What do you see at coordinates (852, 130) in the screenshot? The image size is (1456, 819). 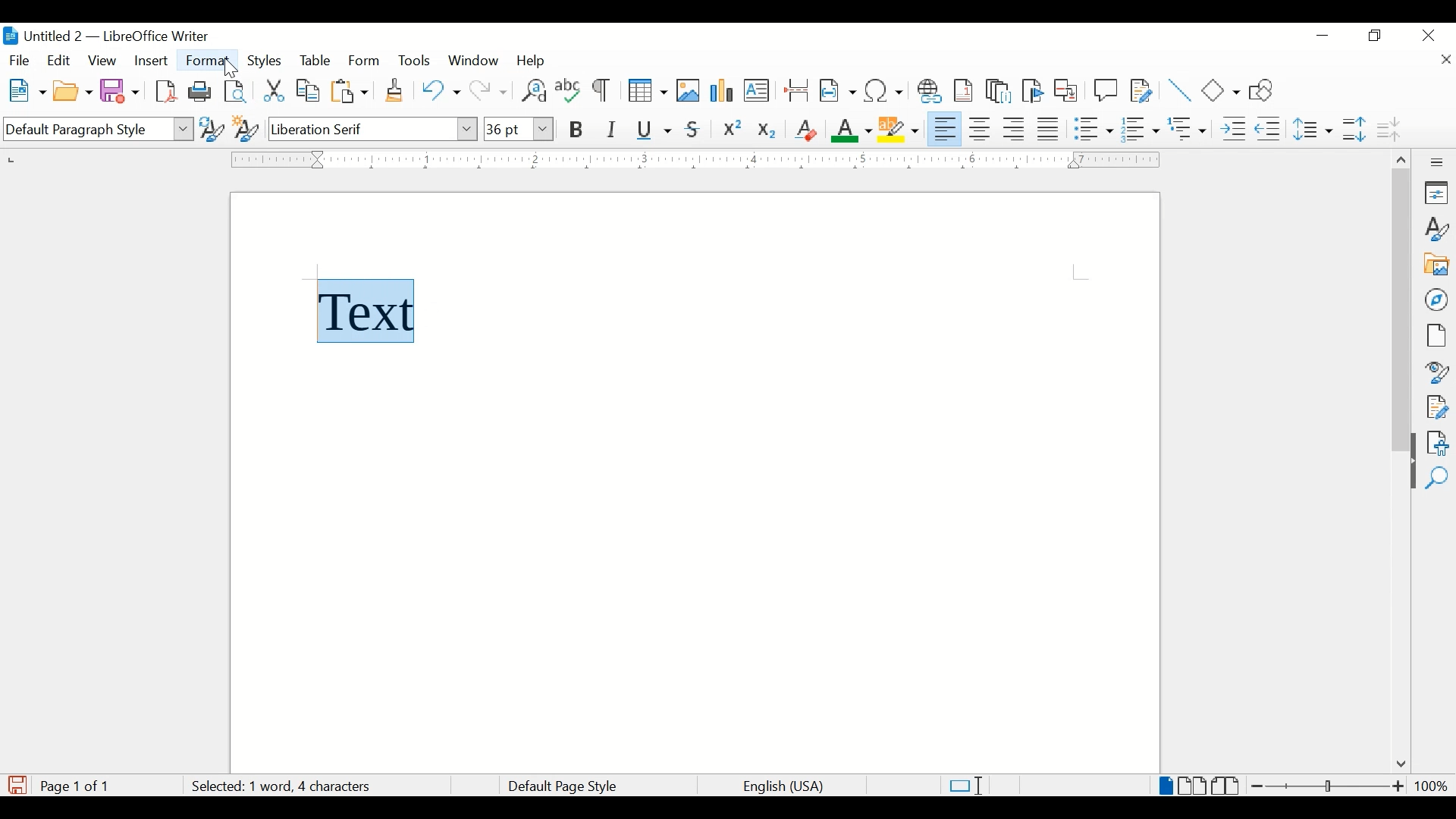 I see `font color` at bounding box center [852, 130].